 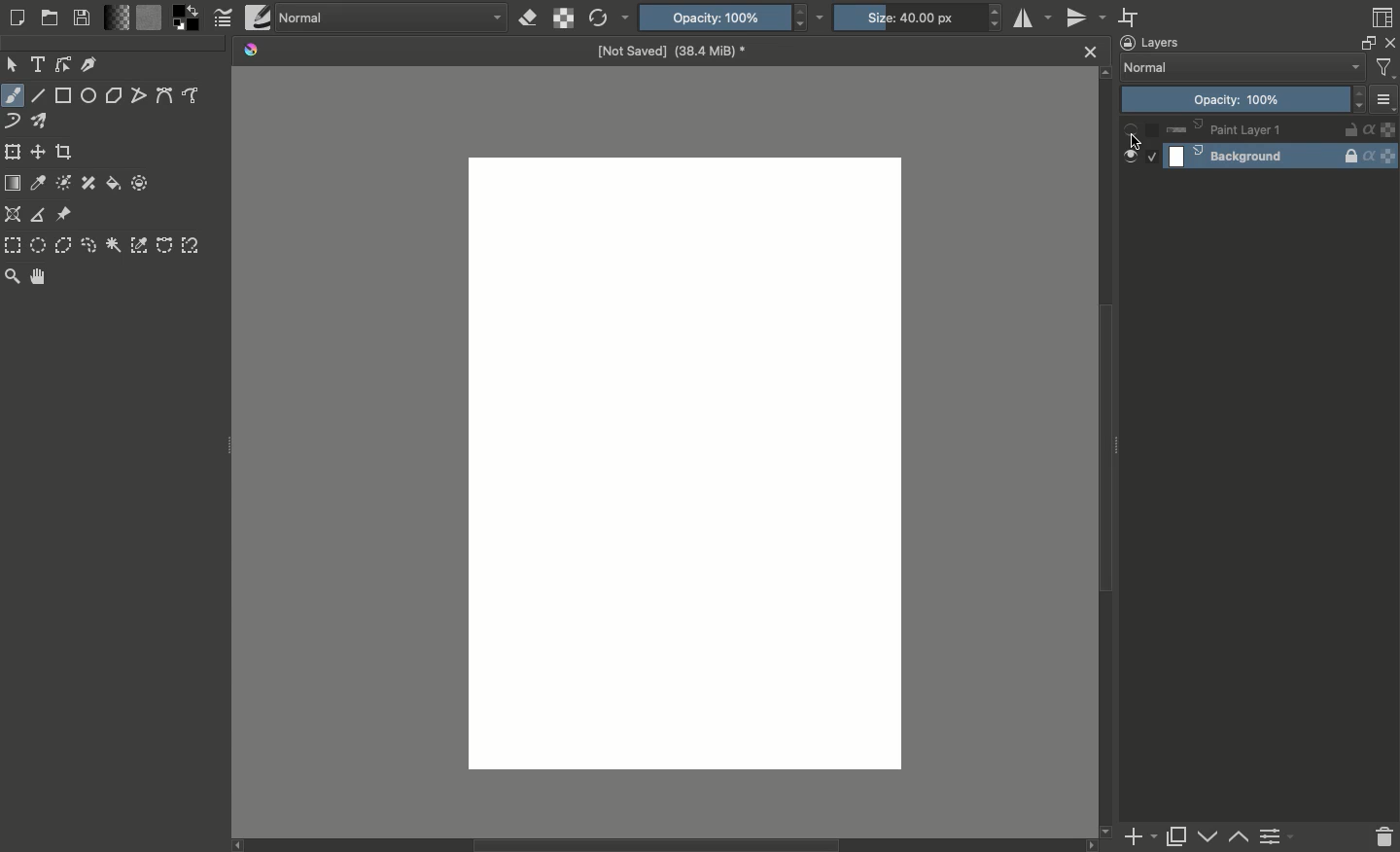 I want to click on Open, so click(x=51, y=19).